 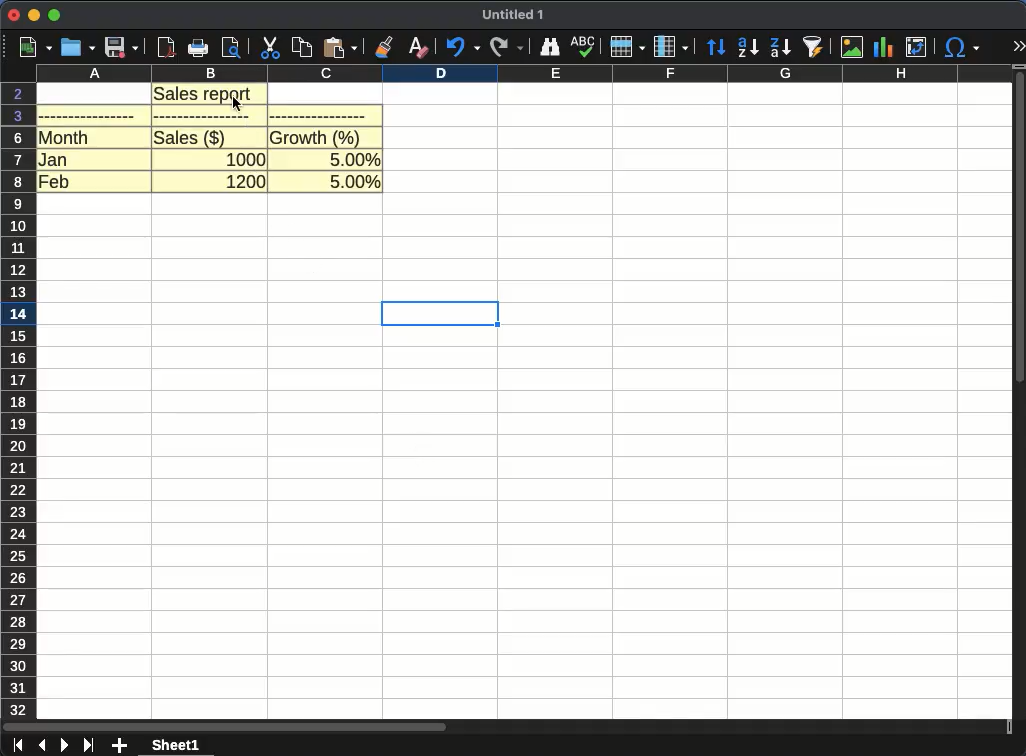 What do you see at coordinates (461, 47) in the screenshot?
I see `undo` at bounding box center [461, 47].